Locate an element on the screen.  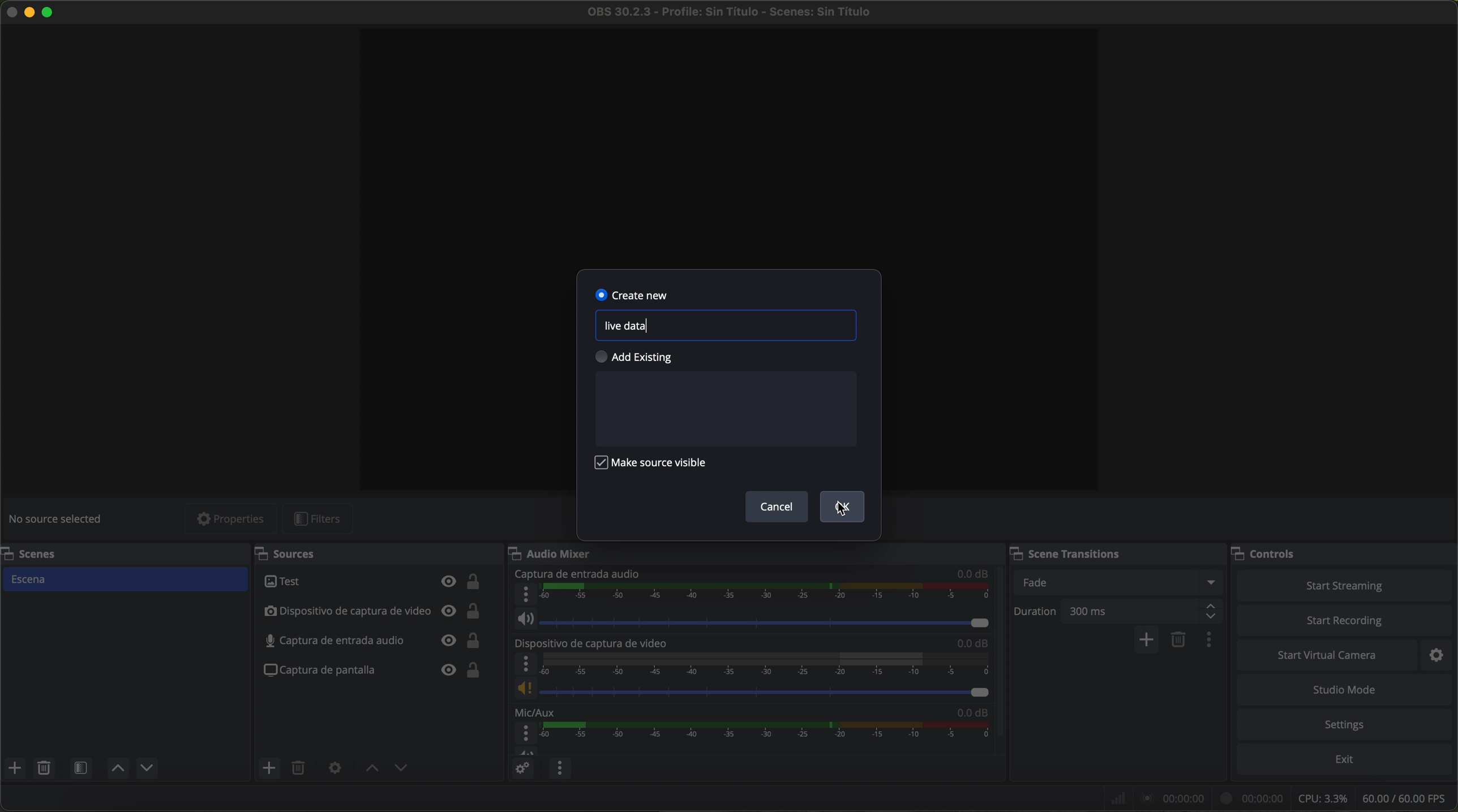
start streaming is located at coordinates (1345, 585).